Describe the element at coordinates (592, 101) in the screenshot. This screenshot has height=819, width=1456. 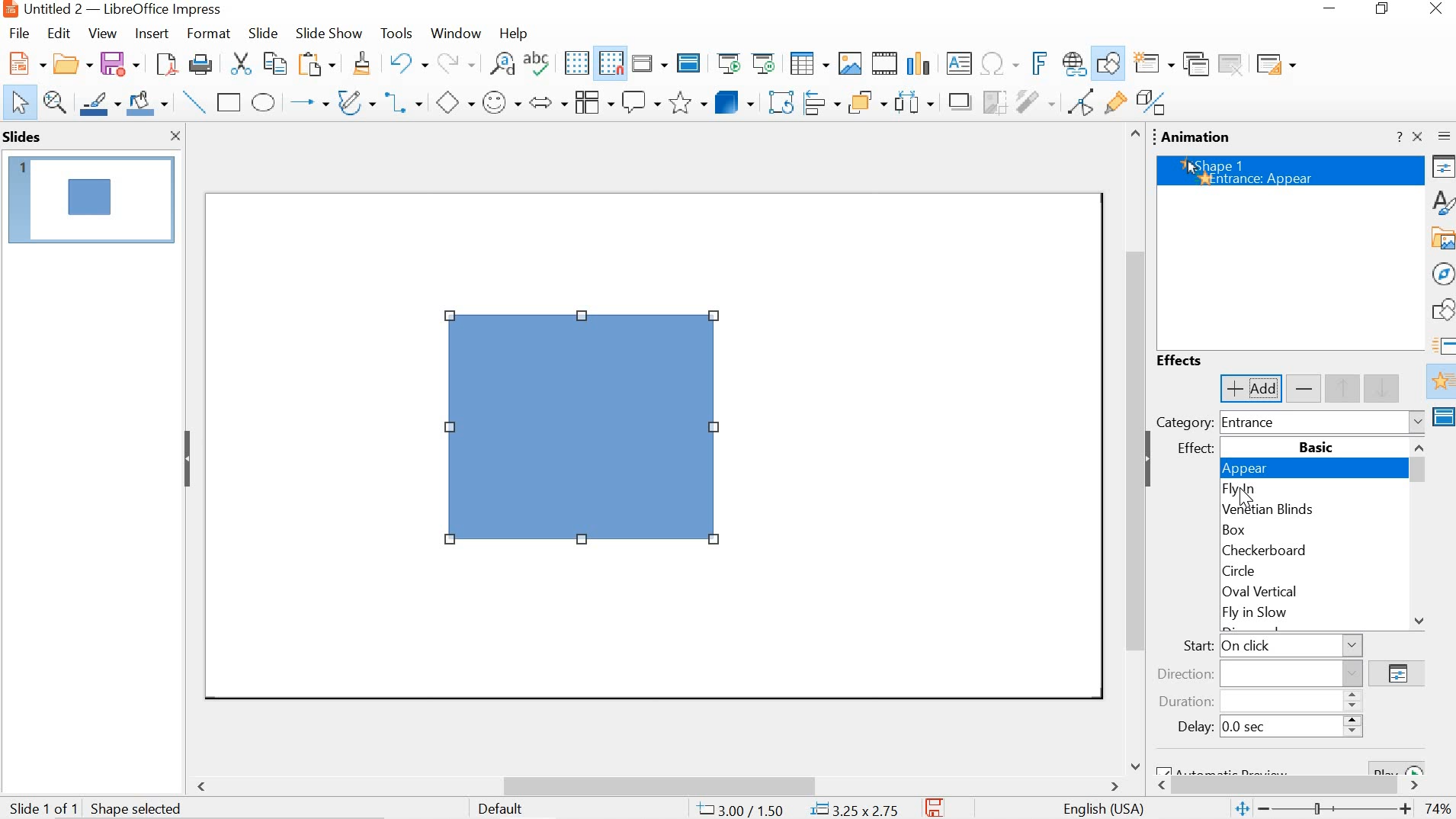
I see `` at that location.